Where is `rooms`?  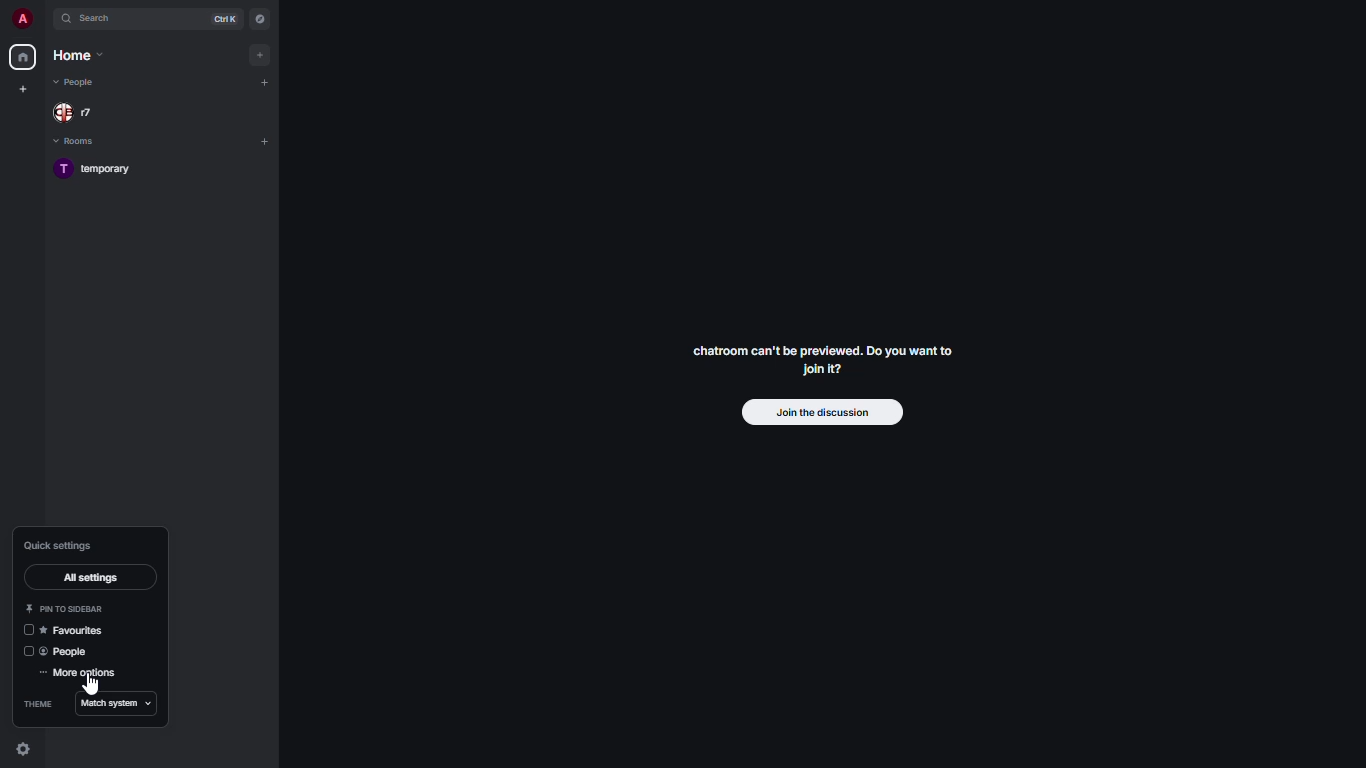
rooms is located at coordinates (77, 142).